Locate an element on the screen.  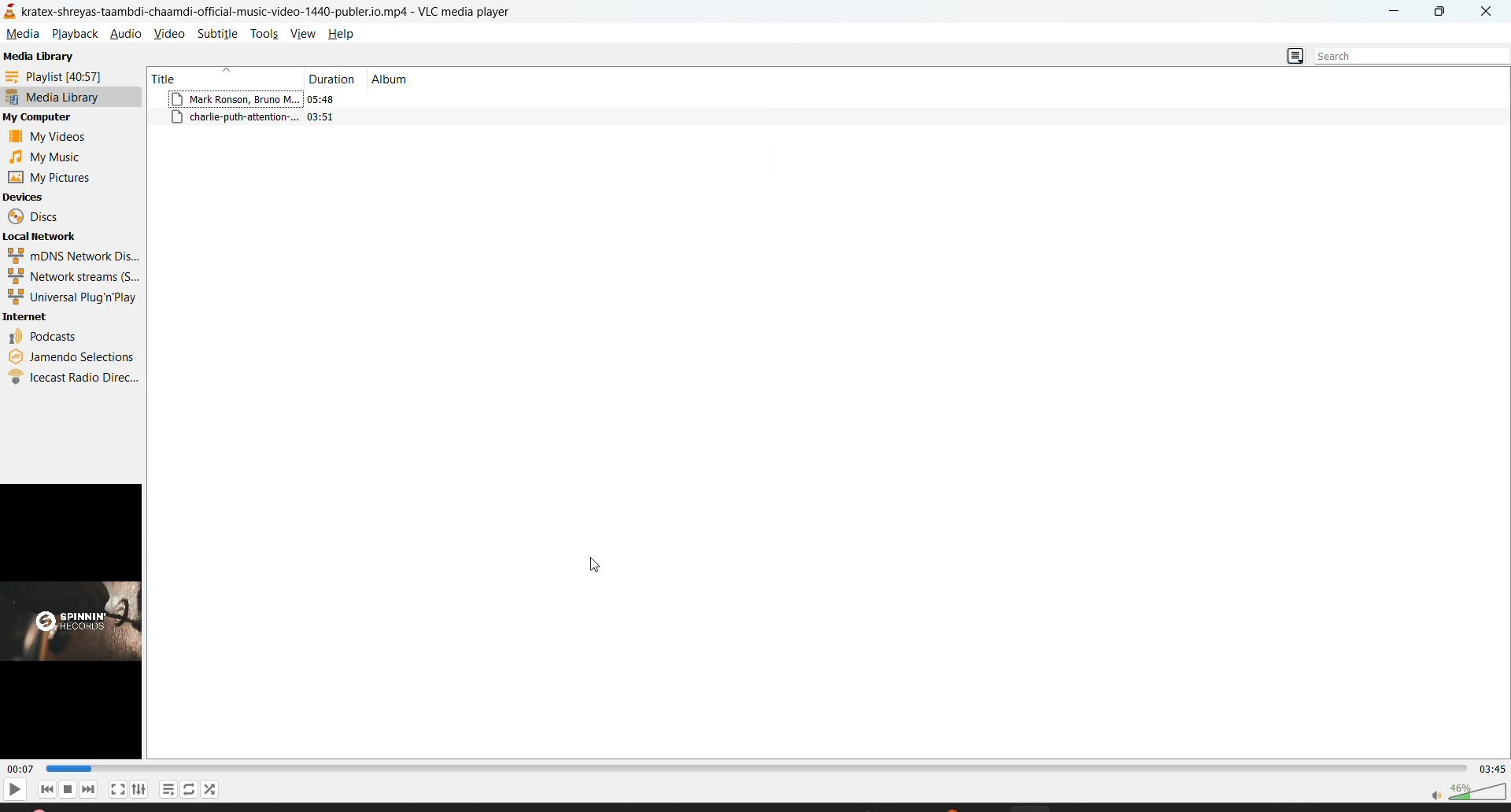
podcasts is located at coordinates (42, 338).